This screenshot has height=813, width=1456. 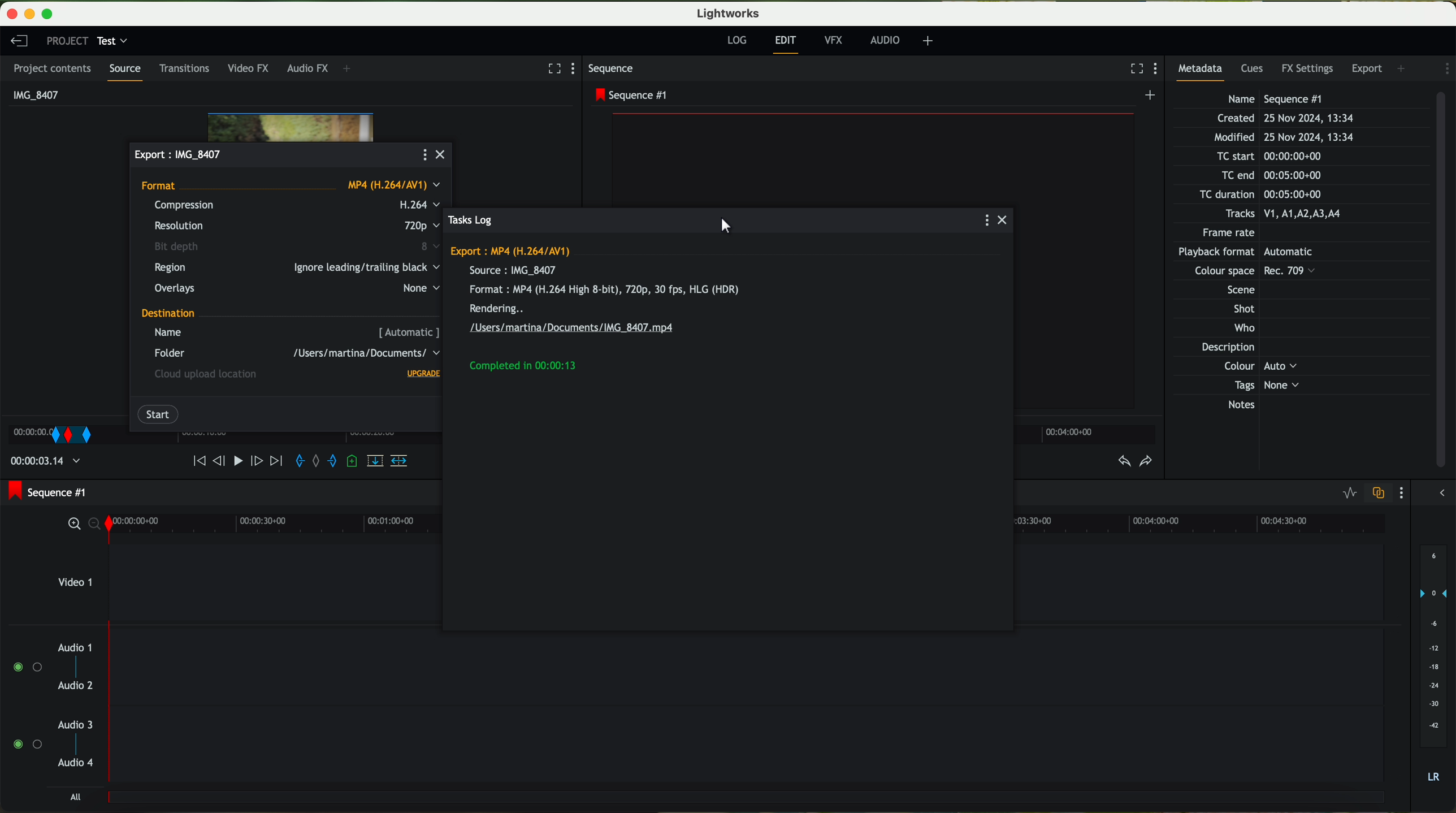 I want to click on project contents, so click(x=54, y=68).